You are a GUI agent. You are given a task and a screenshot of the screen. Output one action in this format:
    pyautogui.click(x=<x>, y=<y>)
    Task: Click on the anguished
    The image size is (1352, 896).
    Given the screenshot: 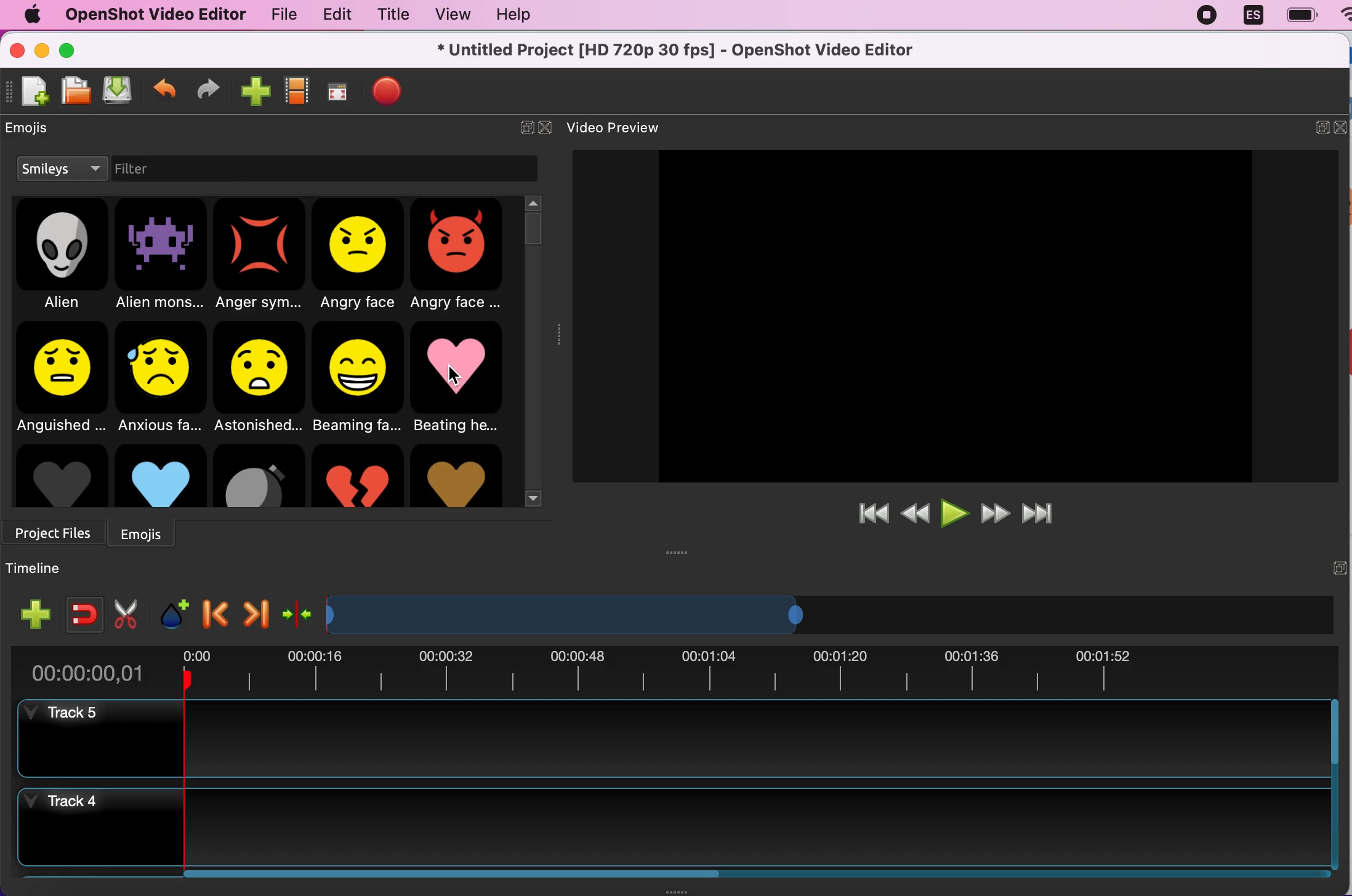 What is the action you would take?
    pyautogui.click(x=60, y=377)
    